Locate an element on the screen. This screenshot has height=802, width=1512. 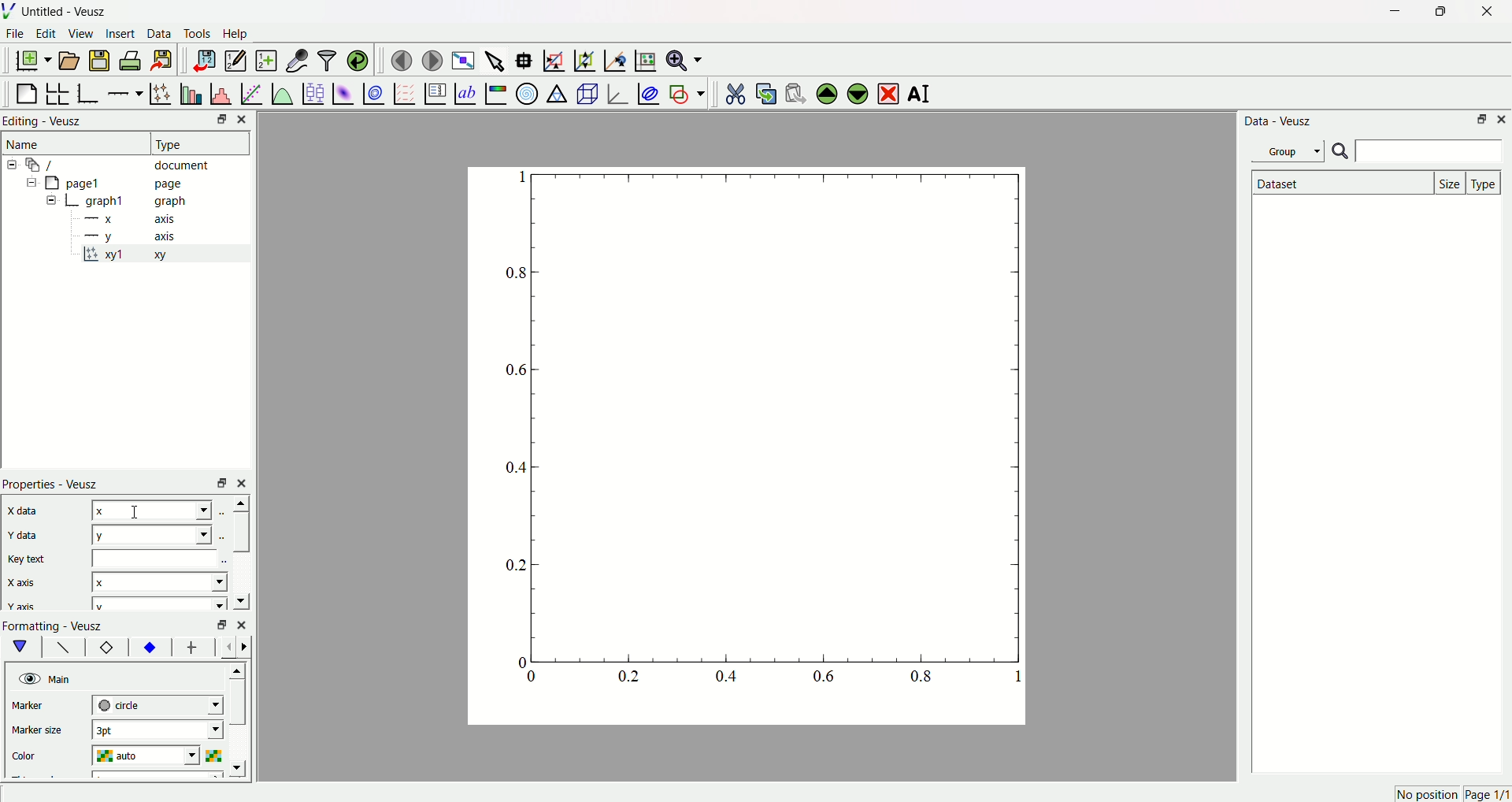
x is located at coordinates (153, 511).